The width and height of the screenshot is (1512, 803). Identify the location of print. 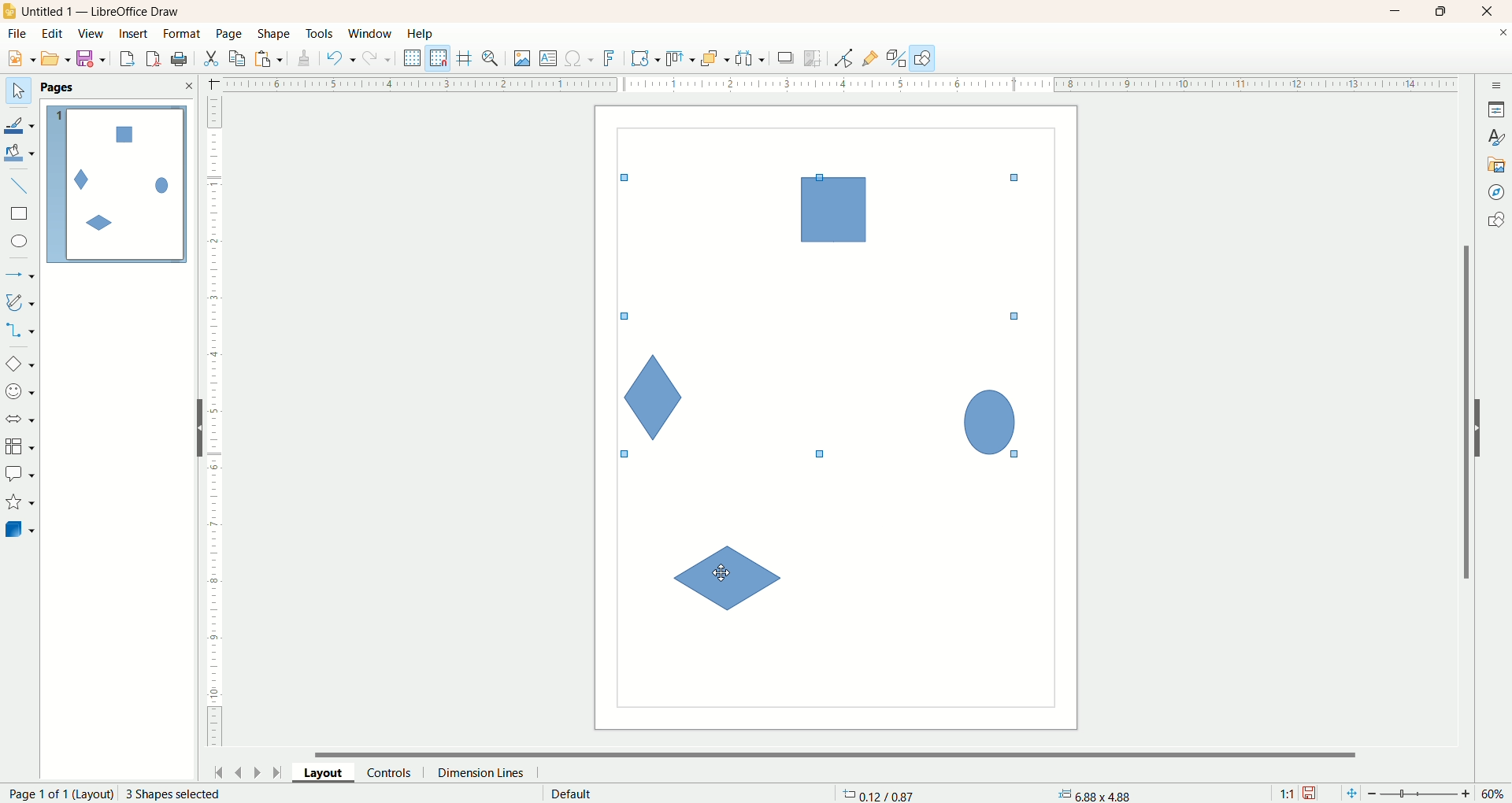
(155, 58).